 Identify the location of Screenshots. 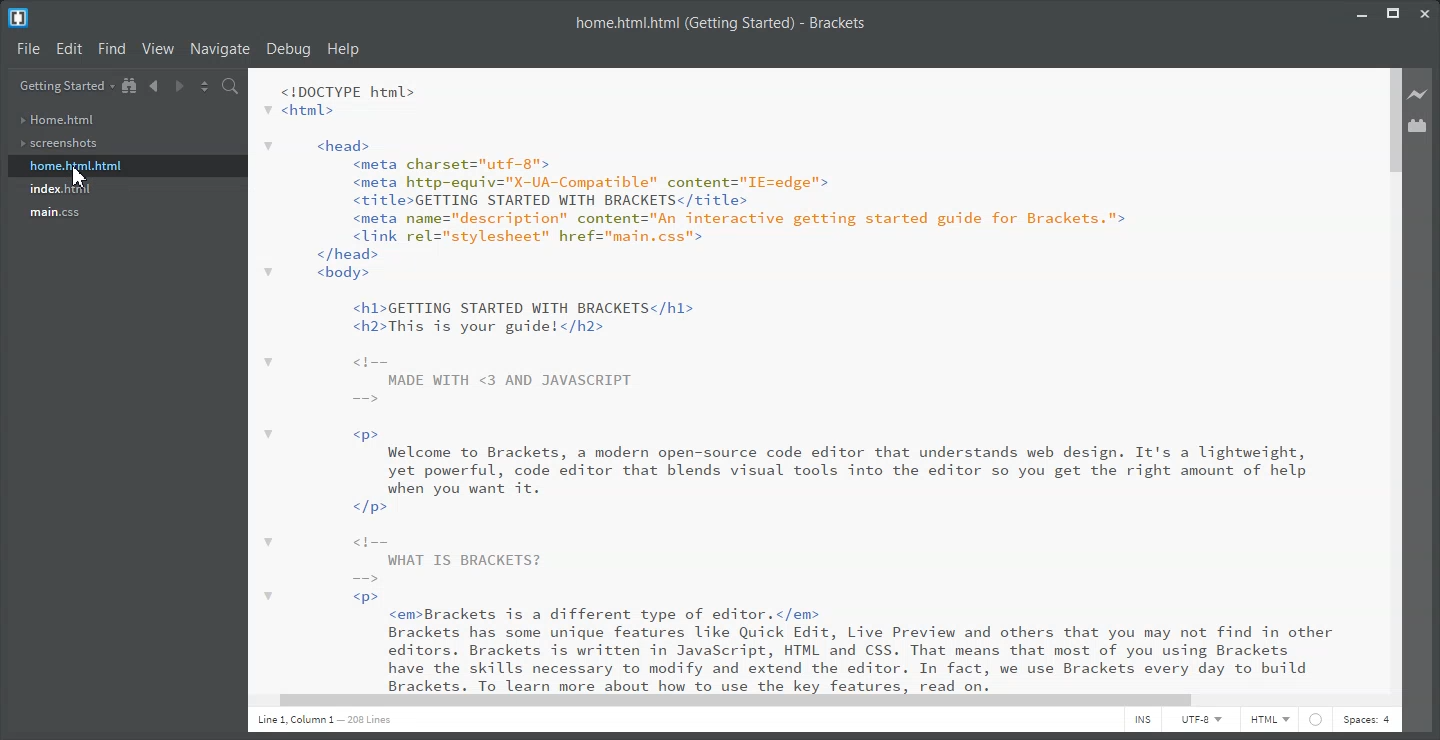
(59, 144).